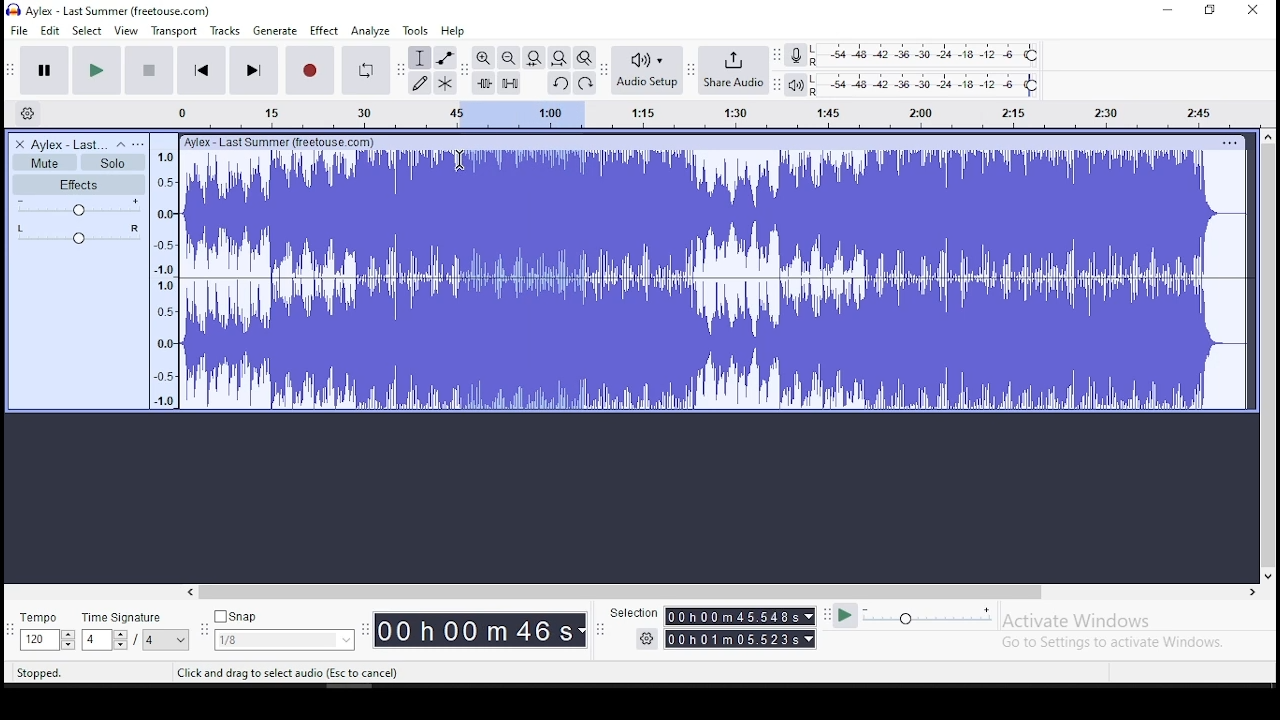  I want to click on snap, so click(287, 630).